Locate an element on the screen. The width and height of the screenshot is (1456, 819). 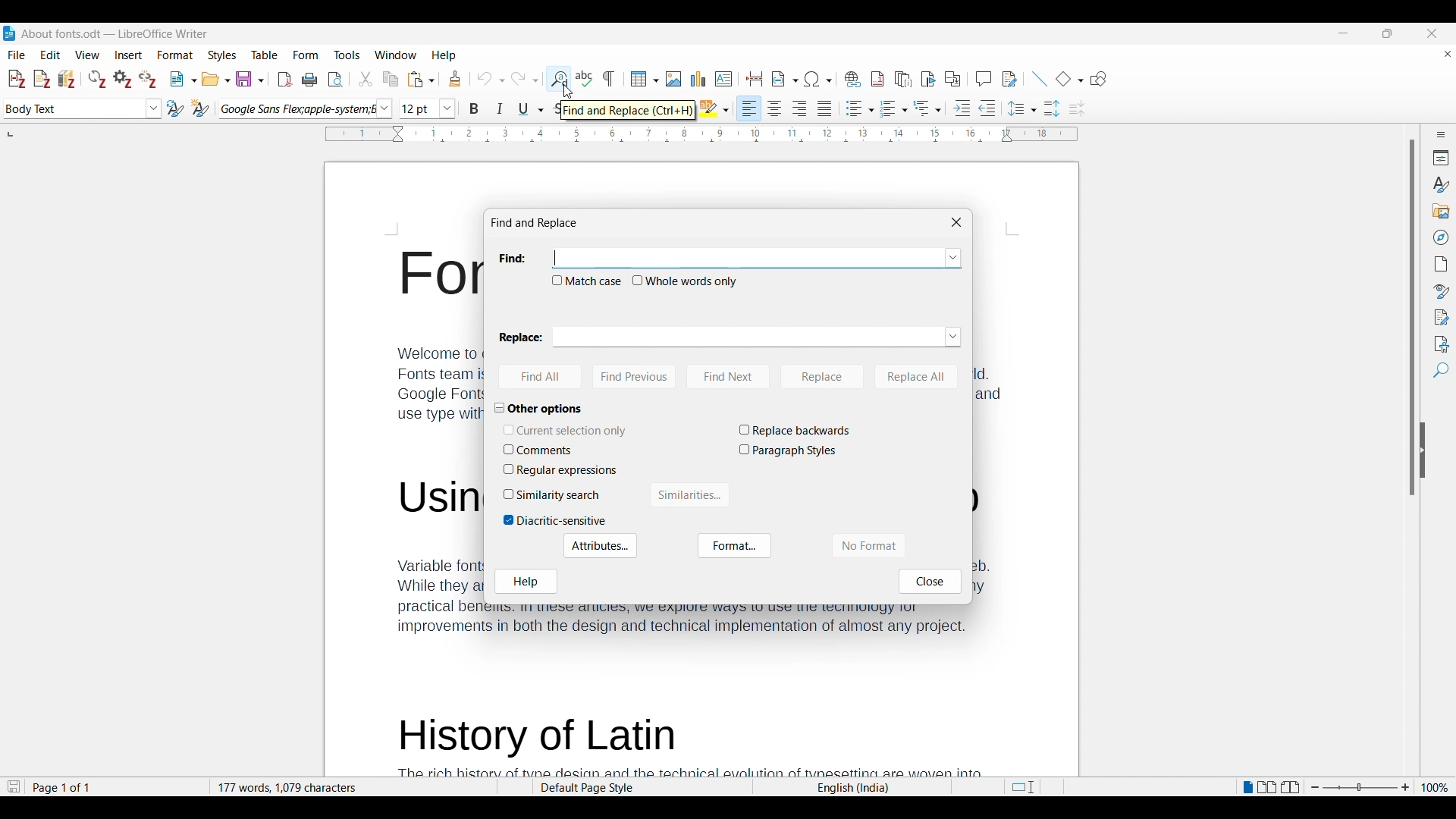
Standard selection is located at coordinates (1022, 787).